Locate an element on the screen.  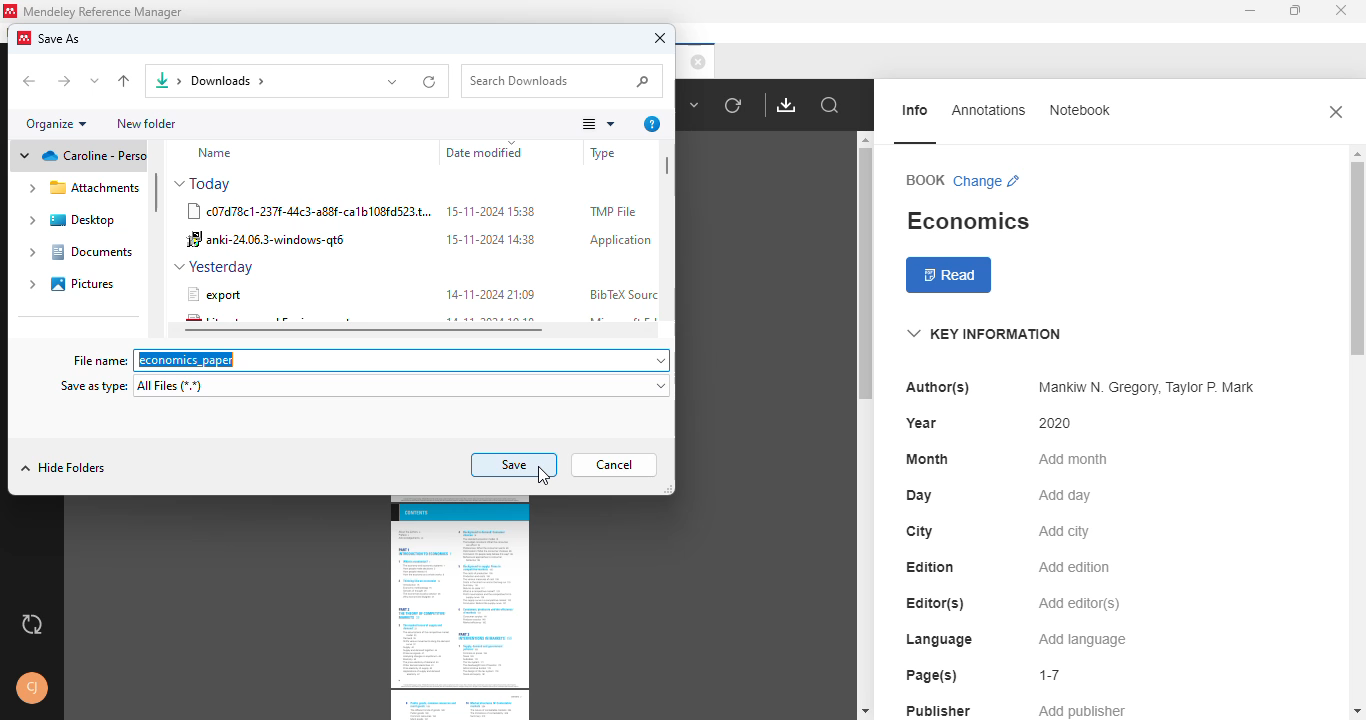
annotations is located at coordinates (989, 109).